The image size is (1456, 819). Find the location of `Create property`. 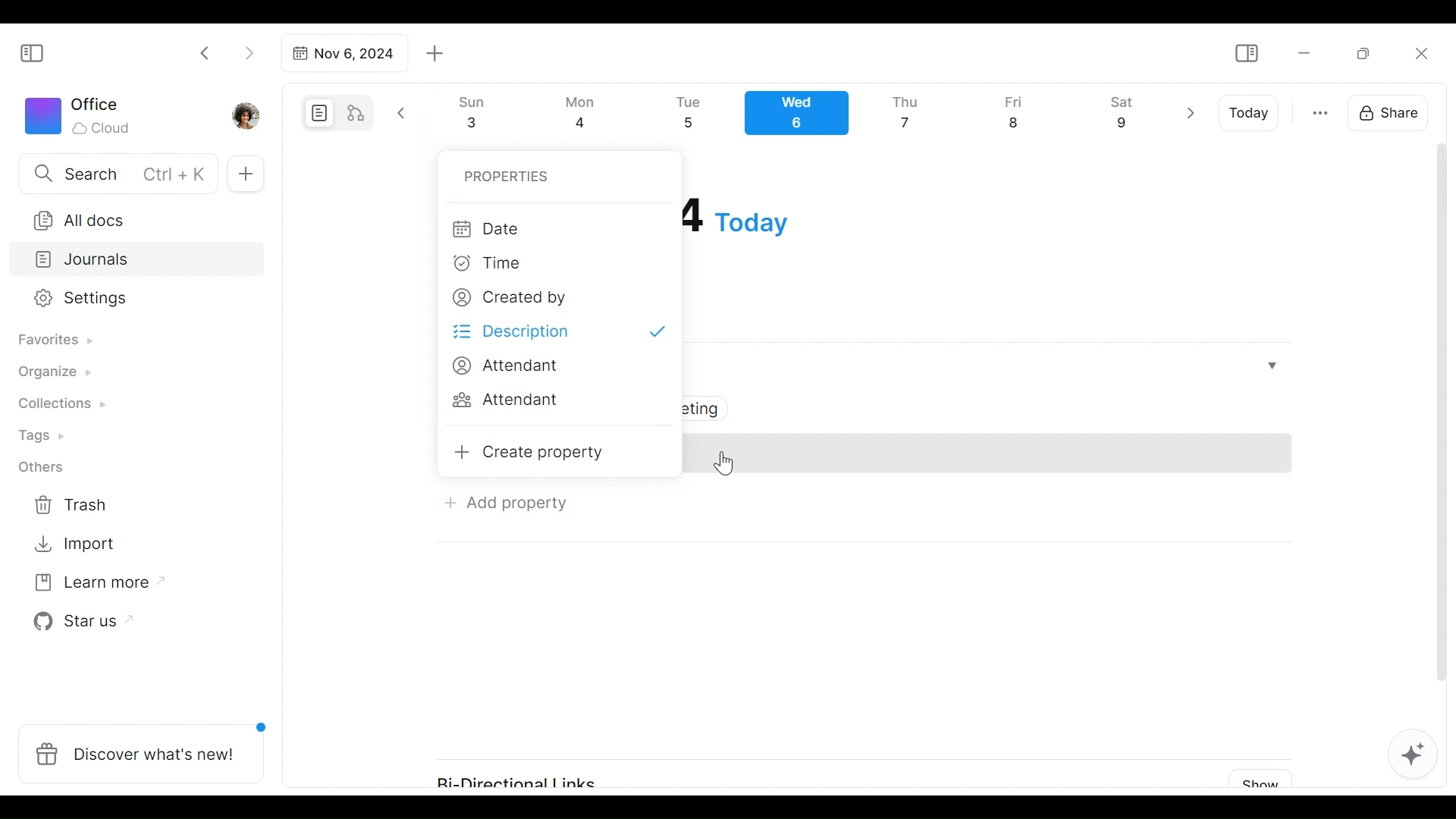

Create property is located at coordinates (532, 452).